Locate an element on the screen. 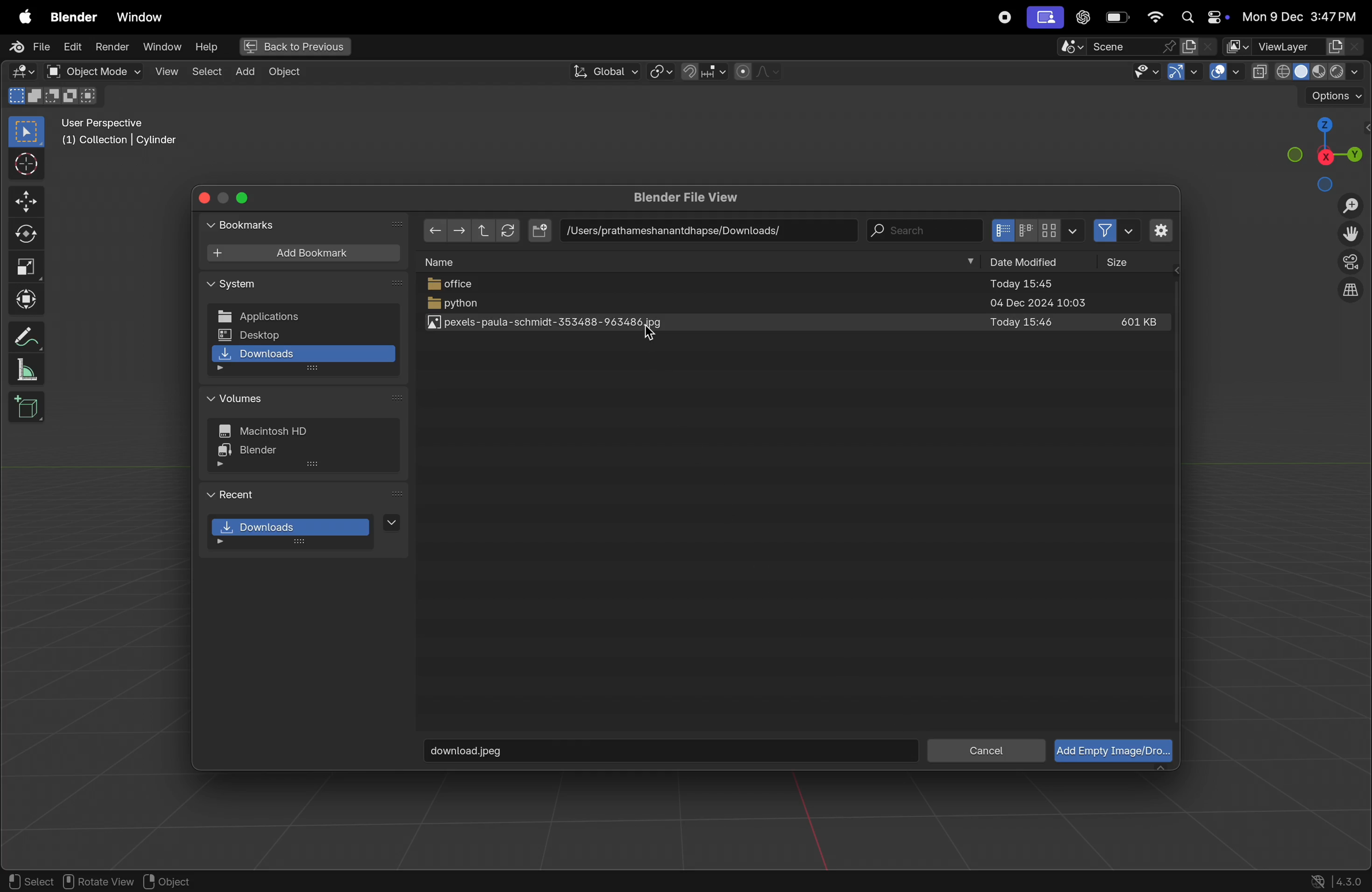 The image size is (1372, 892). refresh is located at coordinates (510, 230).